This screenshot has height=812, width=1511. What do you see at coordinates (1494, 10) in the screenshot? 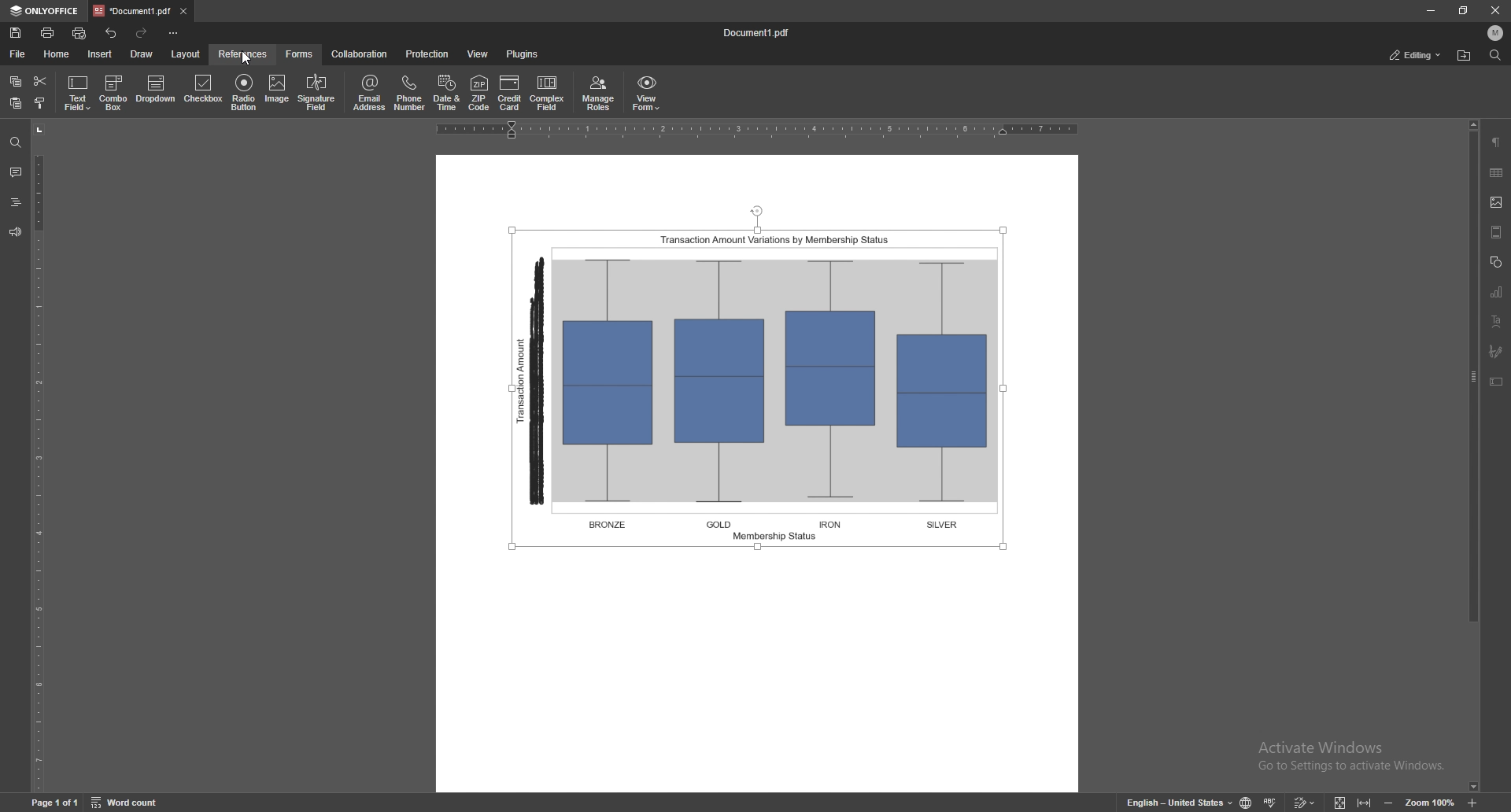
I see `close` at bounding box center [1494, 10].